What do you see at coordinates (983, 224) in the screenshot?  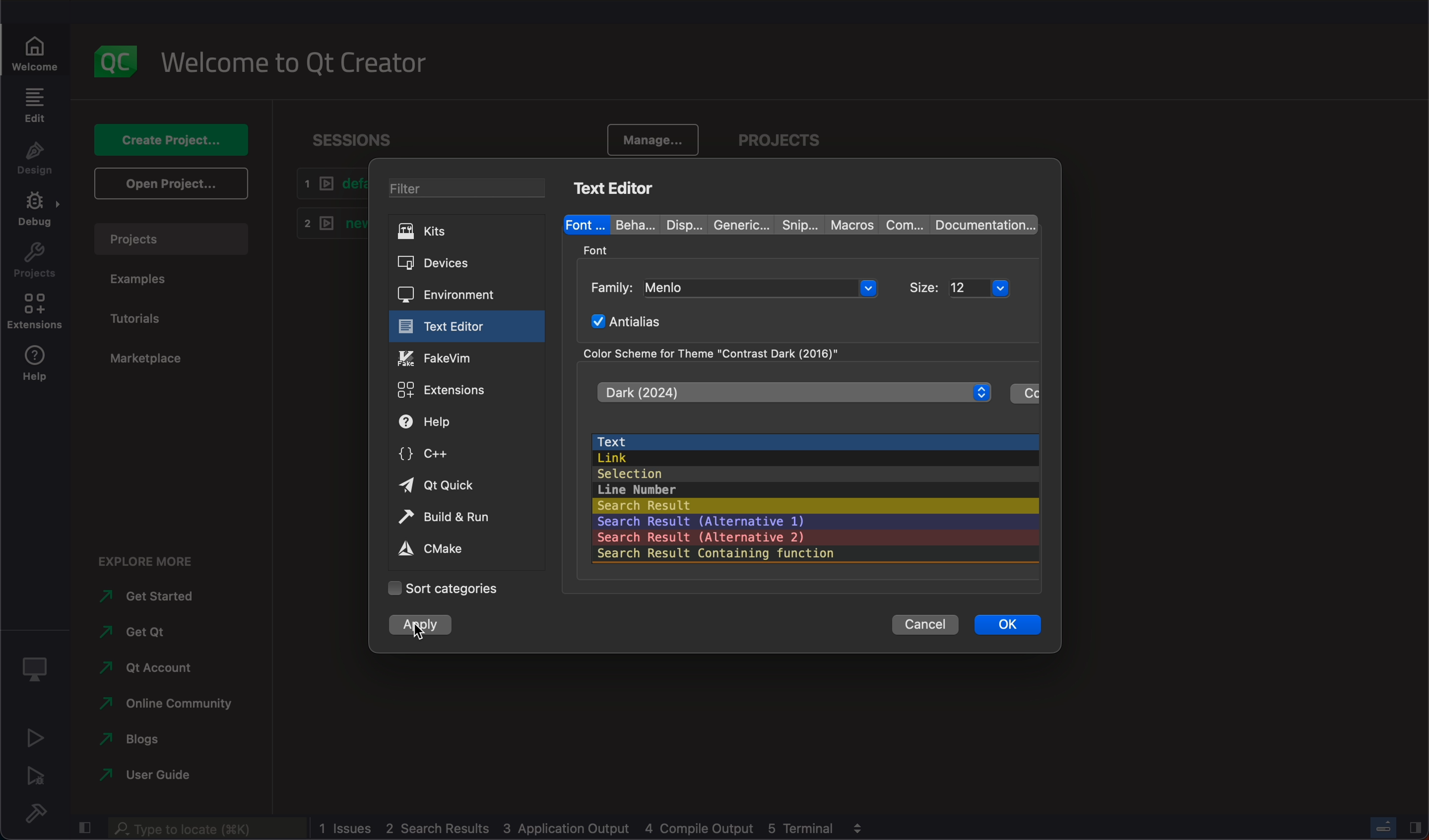 I see `documentation` at bounding box center [983, 224].